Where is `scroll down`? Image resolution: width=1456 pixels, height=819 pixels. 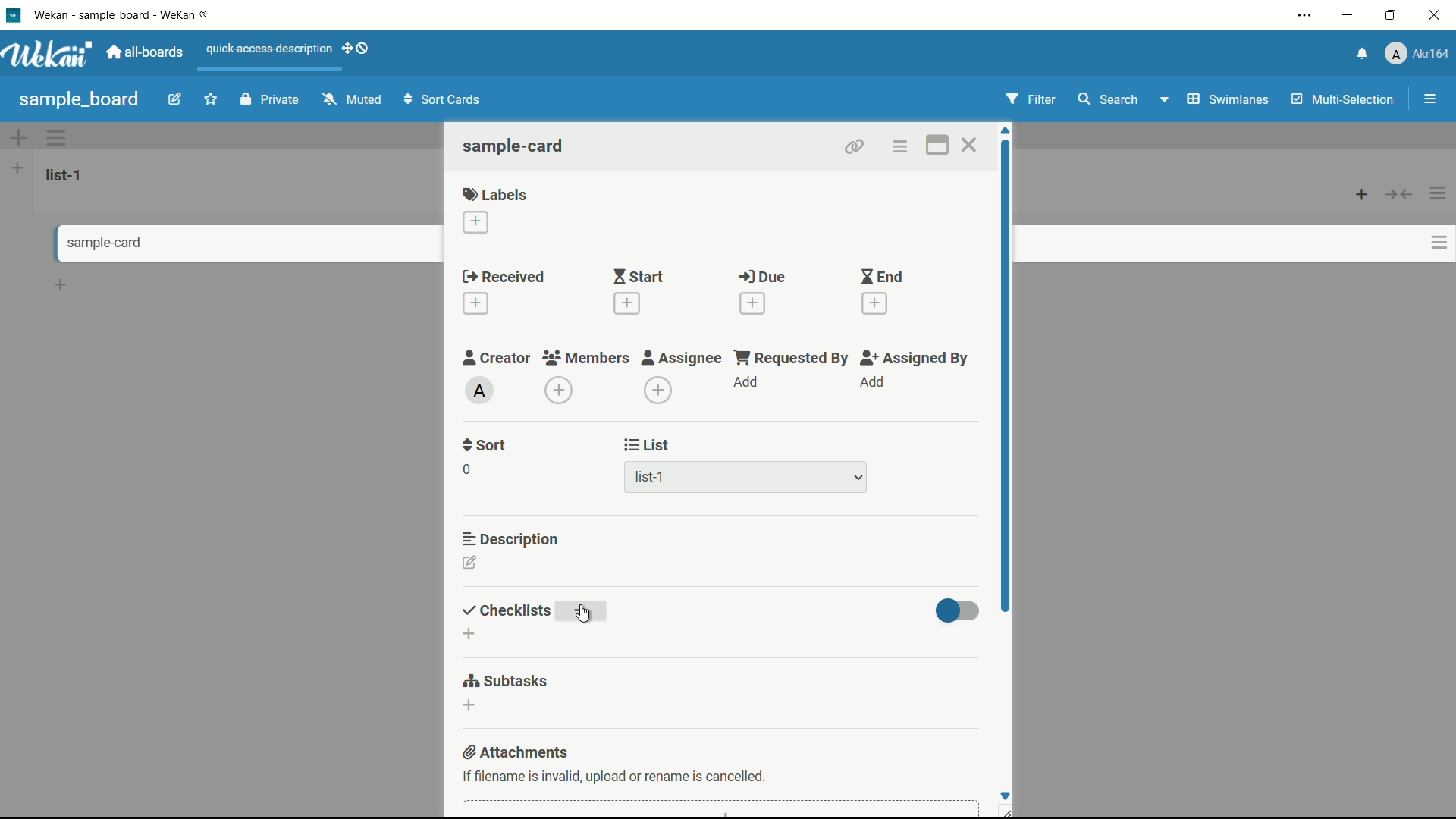 scroll down is located at coordinates (1004, 795).